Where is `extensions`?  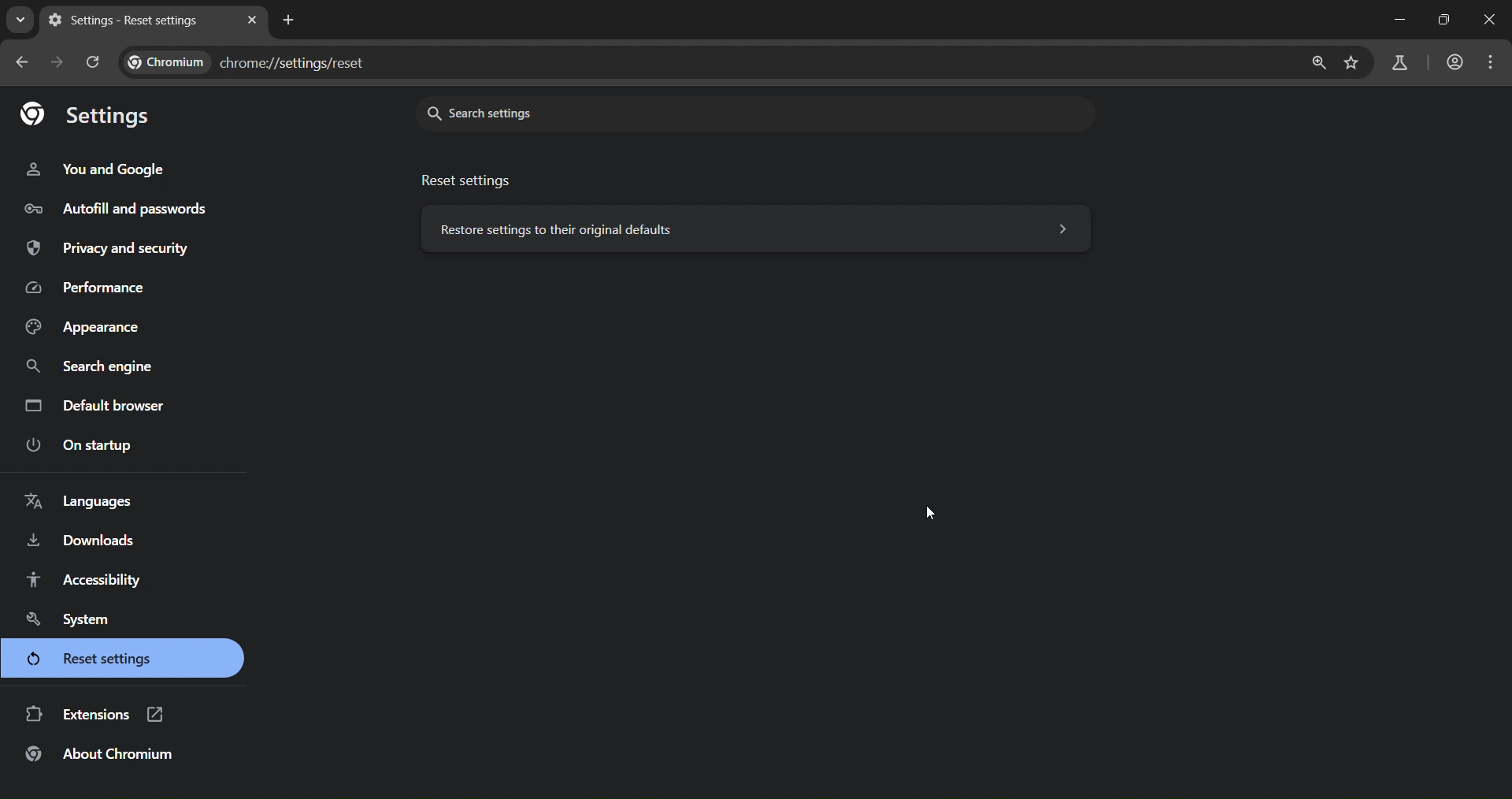 extensions is located at coordinates (95, 713).